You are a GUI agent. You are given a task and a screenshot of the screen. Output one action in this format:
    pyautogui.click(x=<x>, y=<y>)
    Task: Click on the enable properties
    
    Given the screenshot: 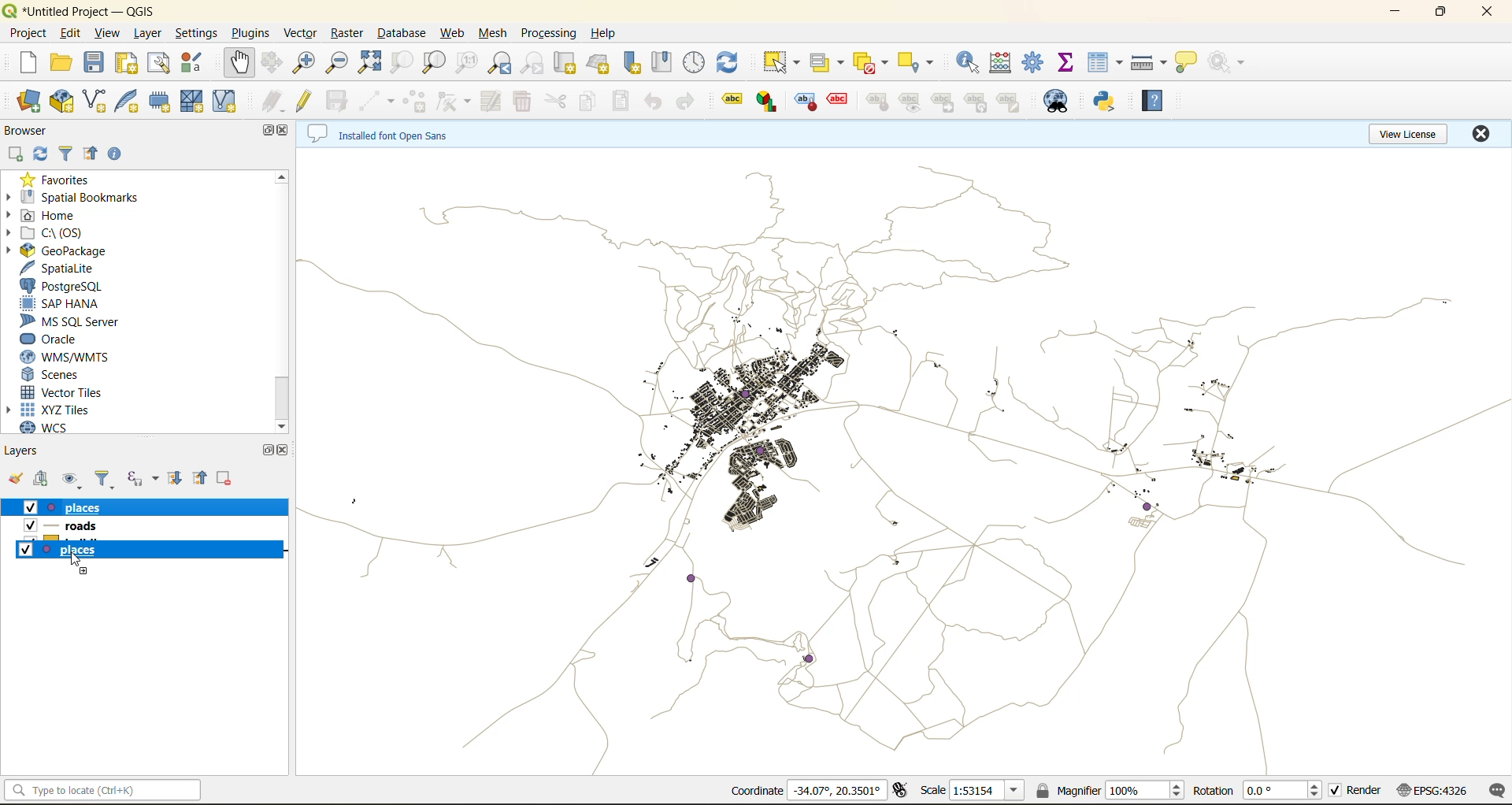 What is the action you would take?
    pyautogui.click(x=120, y=157)
    